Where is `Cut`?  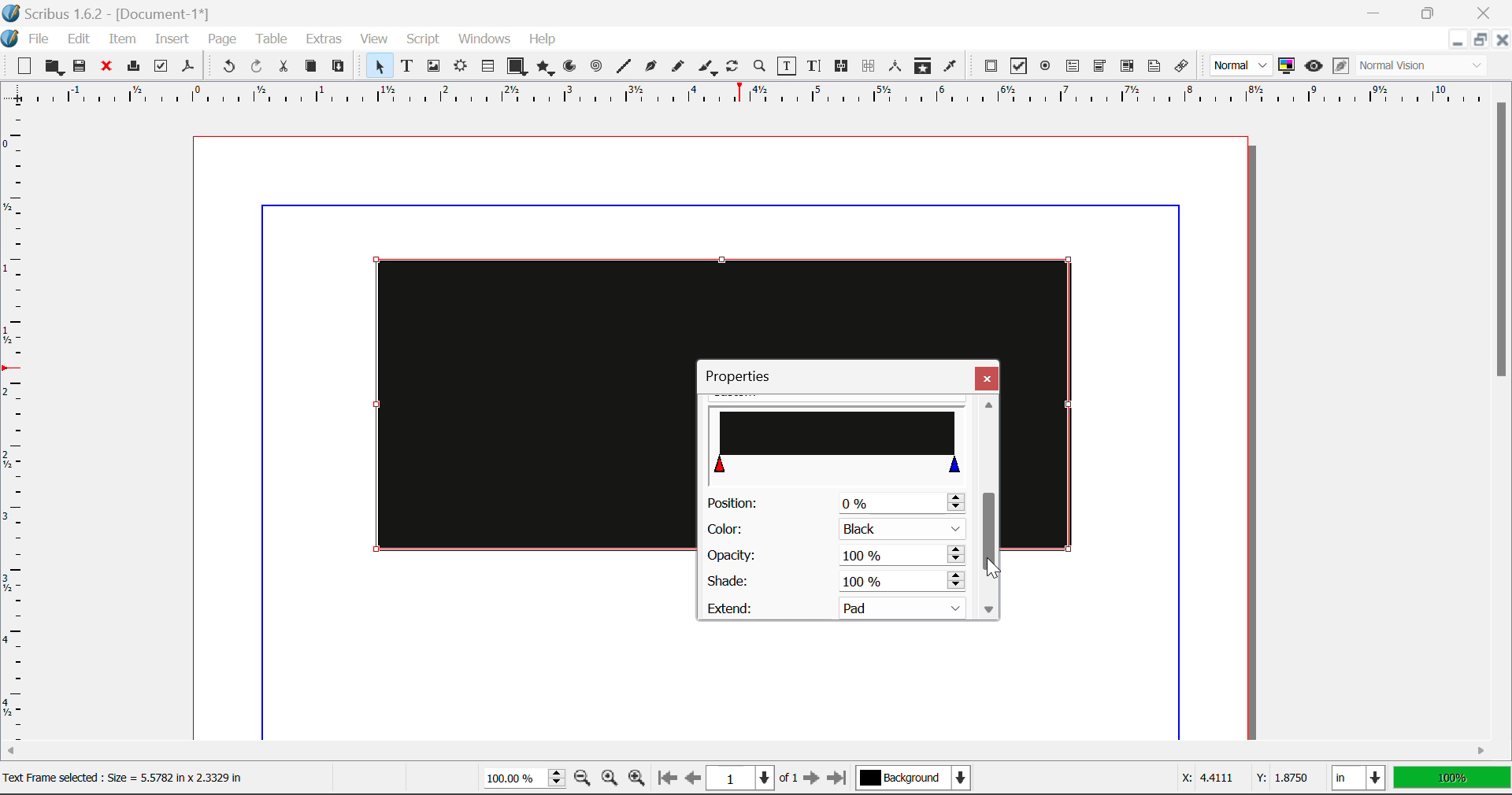
Cut is located at coordinates (283, 67).